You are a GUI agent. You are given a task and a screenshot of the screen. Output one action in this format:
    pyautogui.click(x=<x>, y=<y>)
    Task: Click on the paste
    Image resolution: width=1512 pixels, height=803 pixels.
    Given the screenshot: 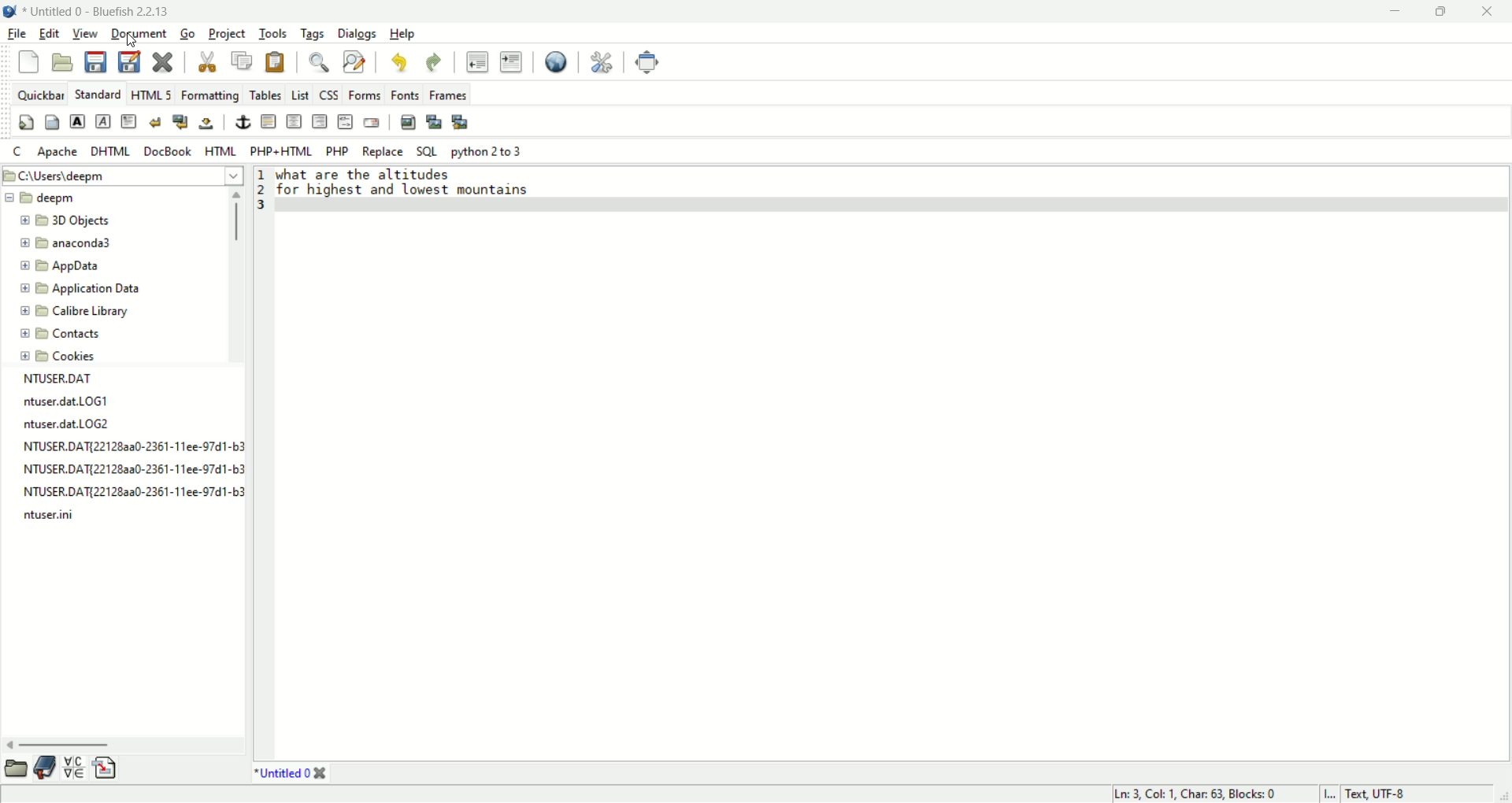 What is the action you would take?
    pyautogui.click(x=274, y=64)
    